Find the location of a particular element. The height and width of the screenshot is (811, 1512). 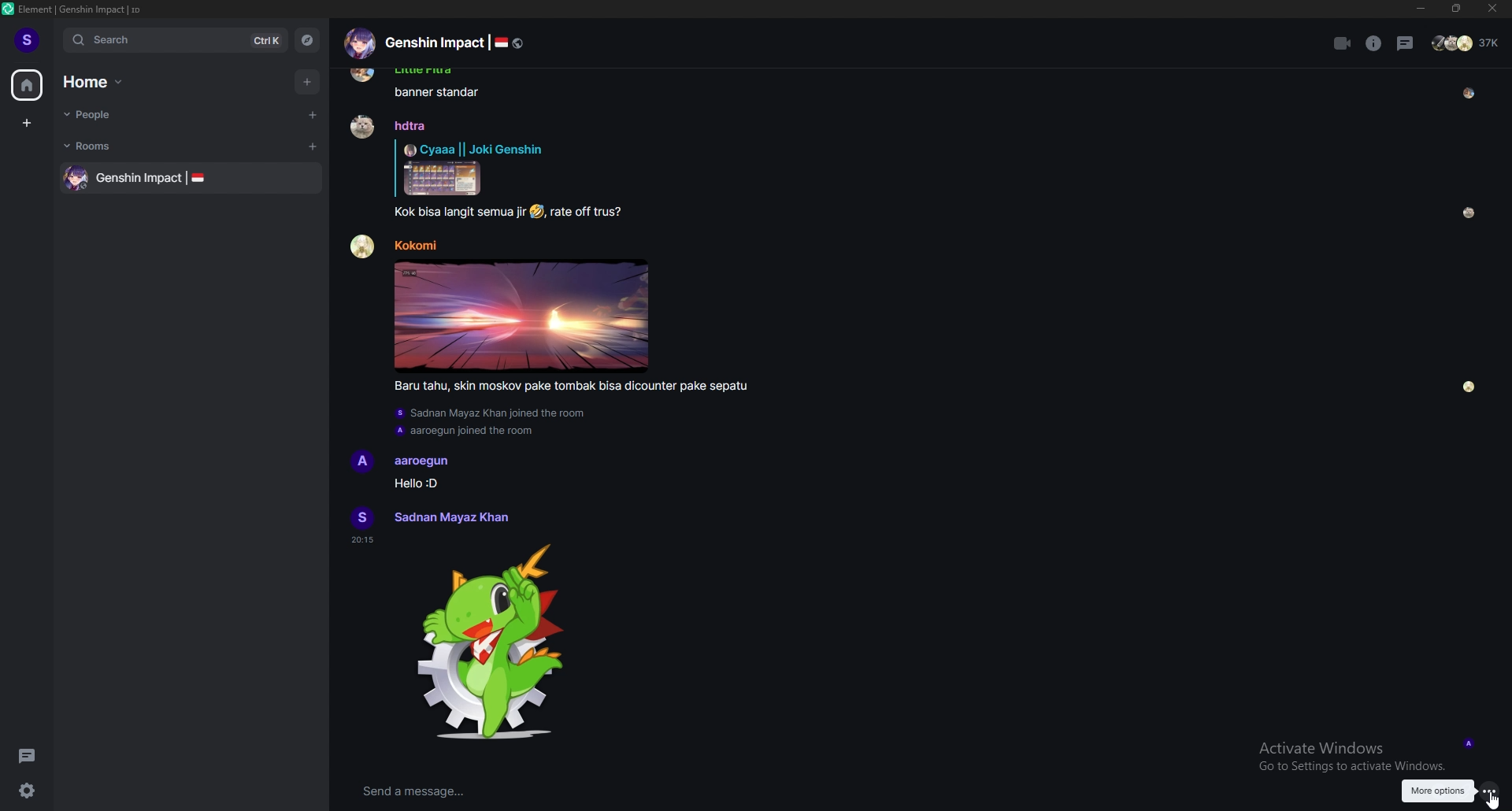

home is located at coordinates (102, 82).